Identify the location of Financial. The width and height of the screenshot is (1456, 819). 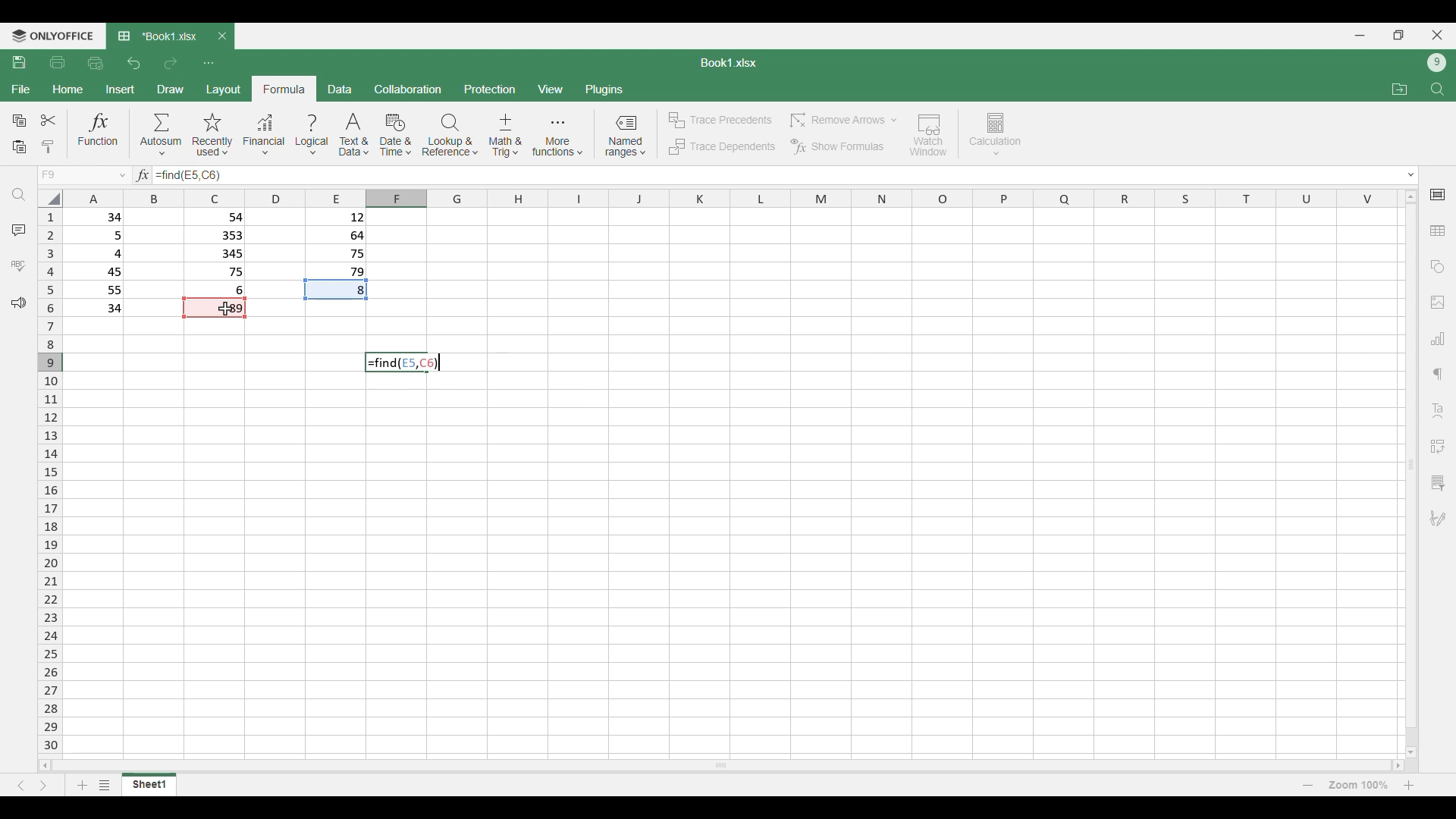
(264, 136).